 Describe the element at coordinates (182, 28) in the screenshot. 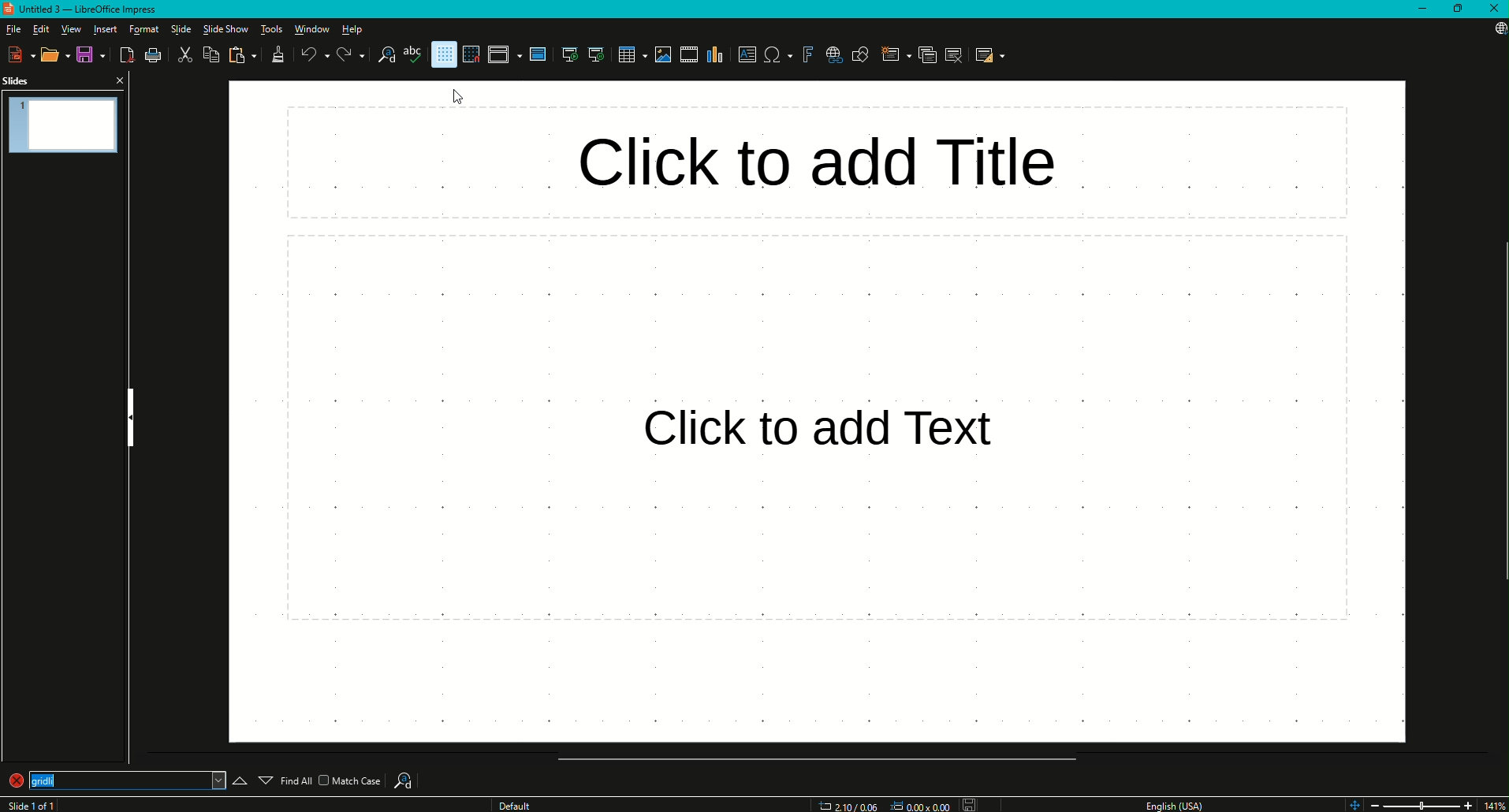

I see `Slide` at that location.